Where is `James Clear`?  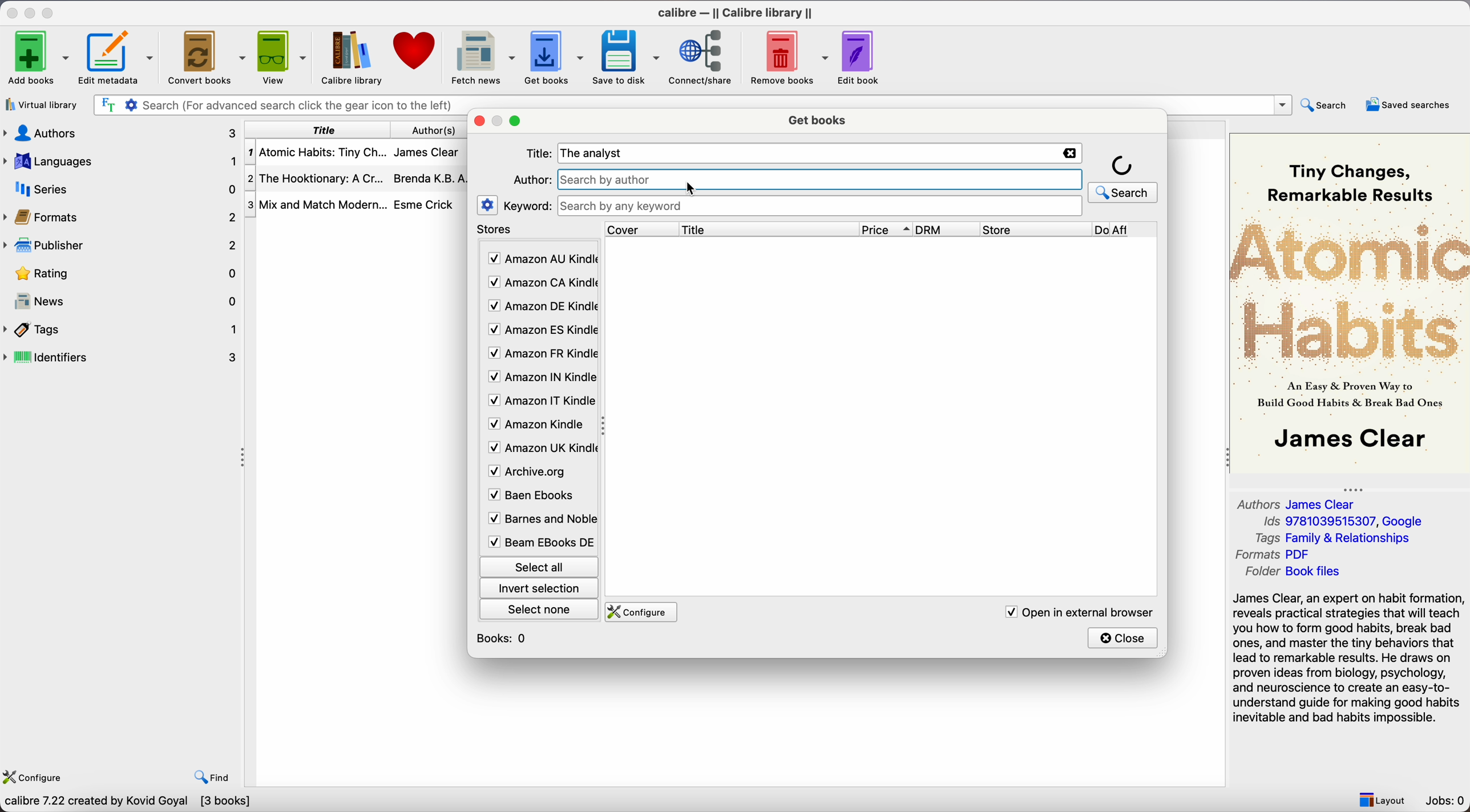
James Clear is located at coordinates (430, 155).